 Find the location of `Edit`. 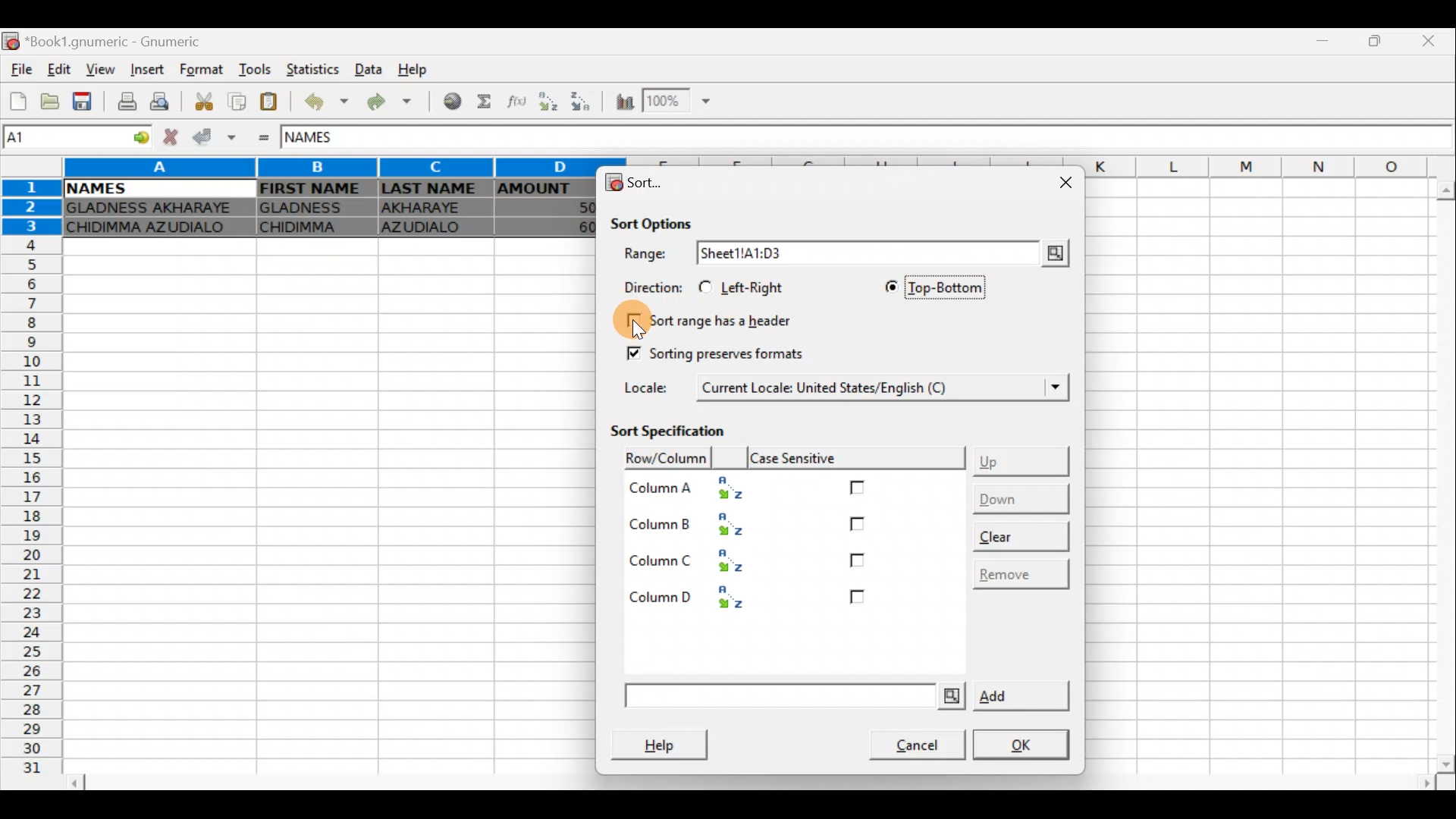

Edit is located at coordinates (61, 71).